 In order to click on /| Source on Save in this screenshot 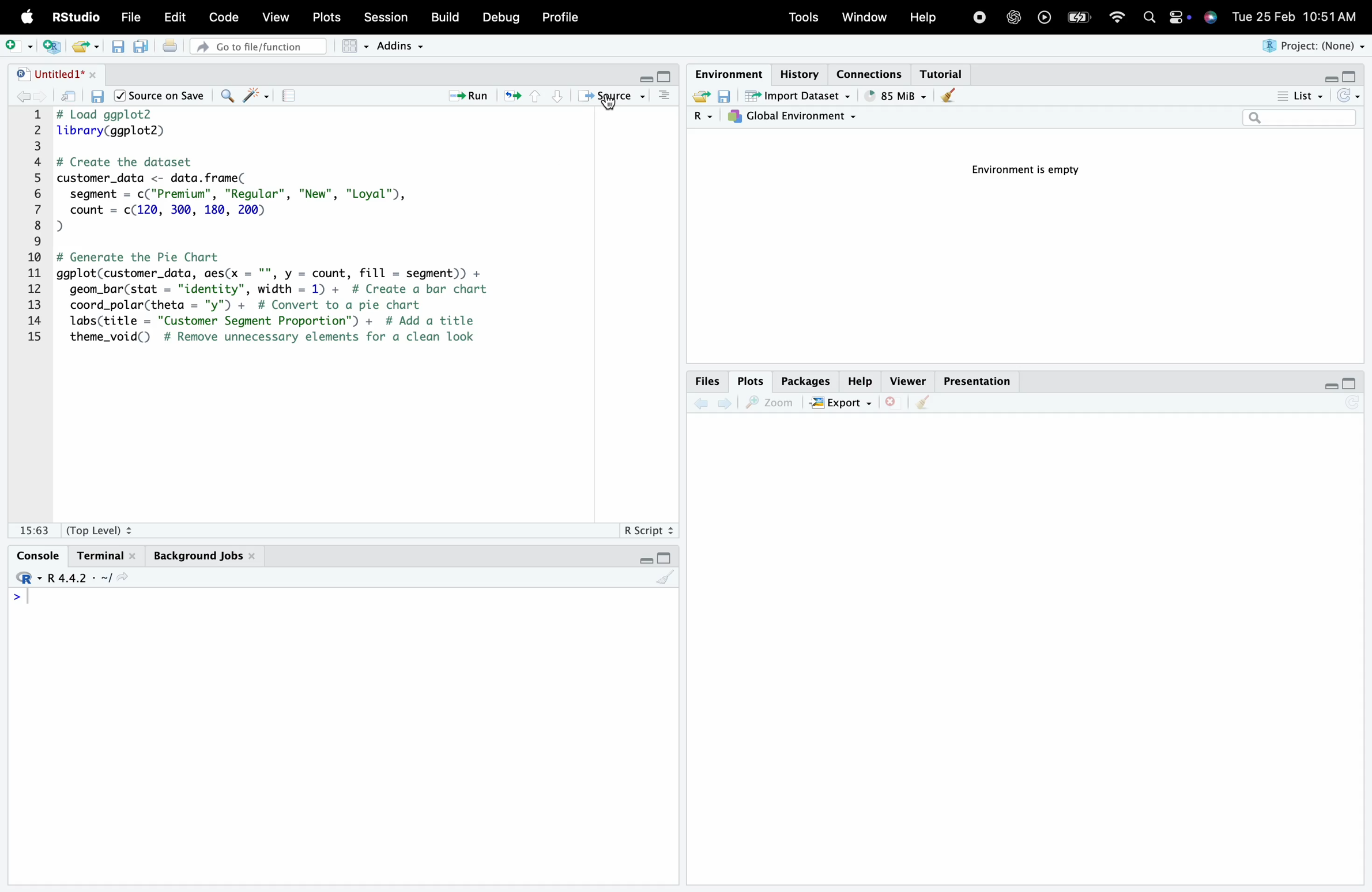, I will do `click(160, 96)`.